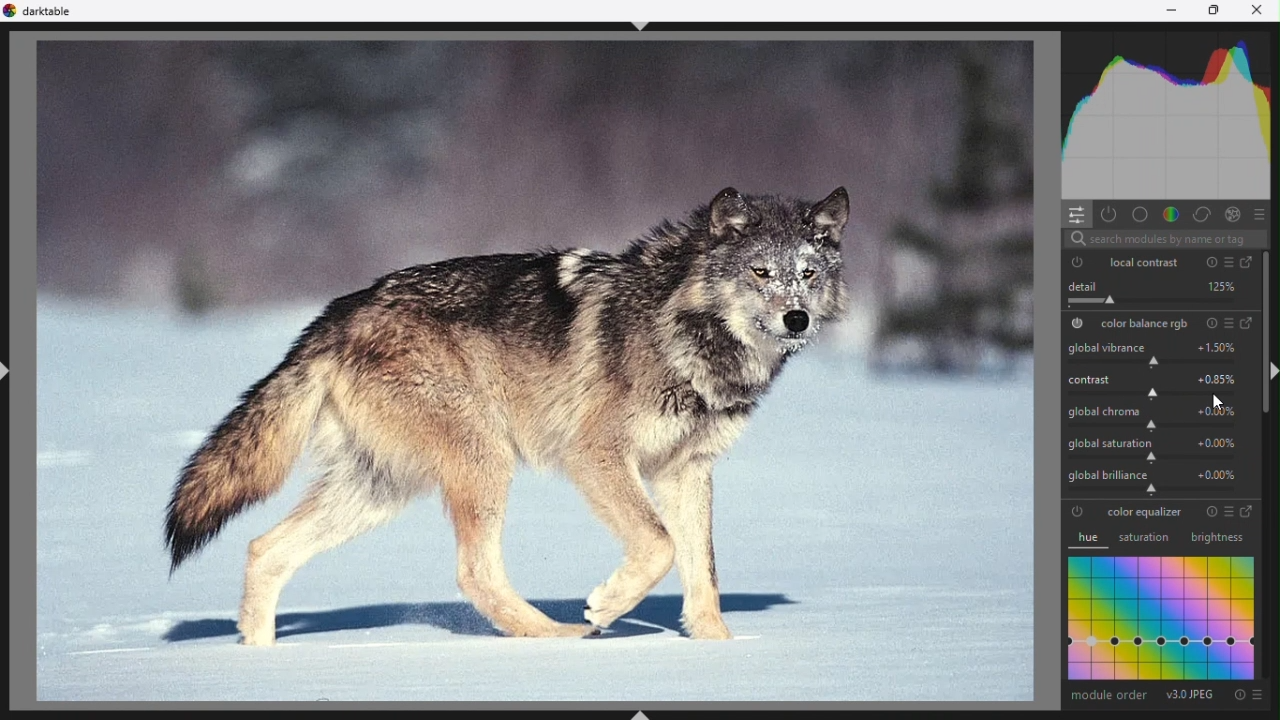 This screenshot has width=1280, height=720. I want to click on shift+ctrl+t, so click(640, 24).